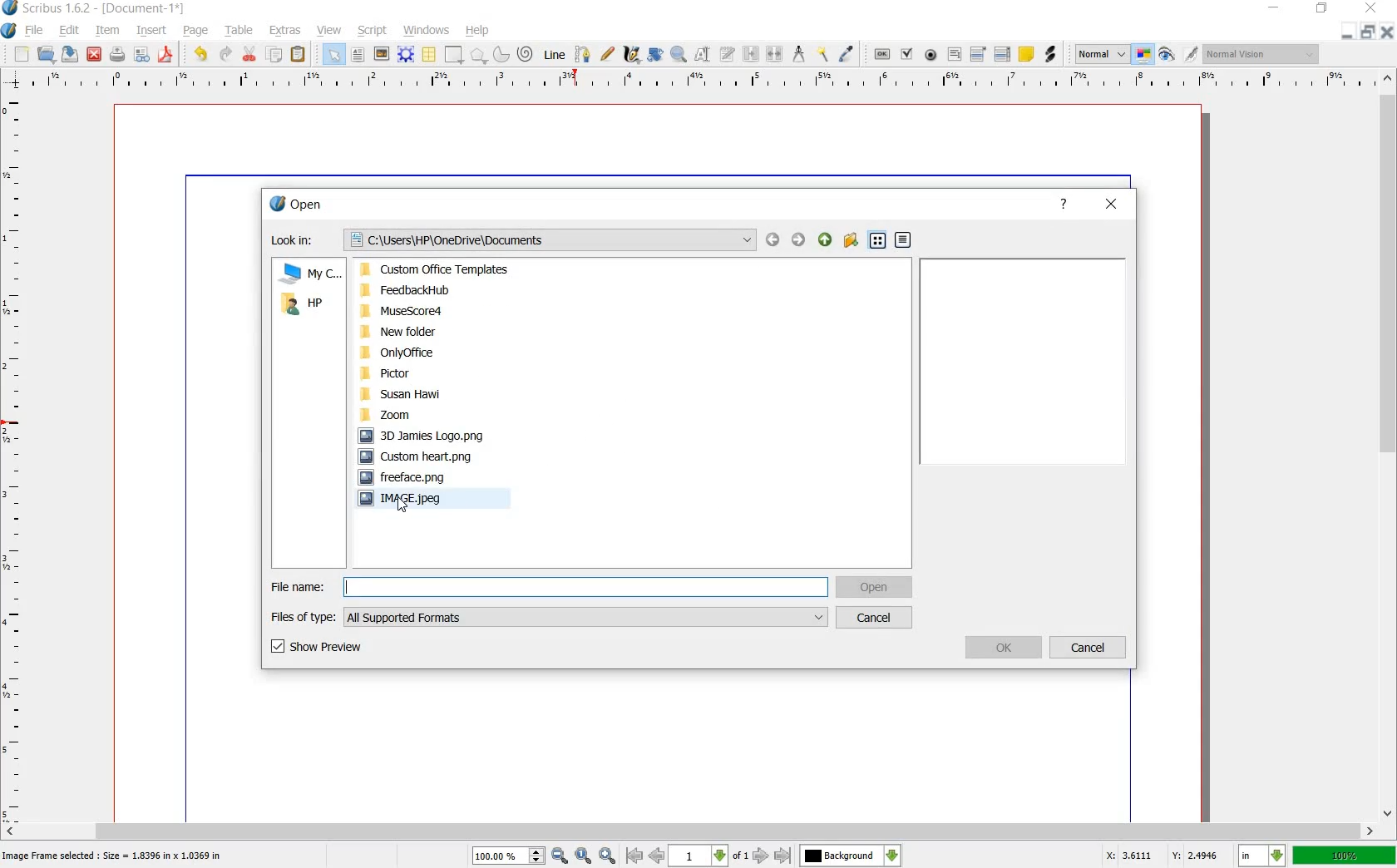  What do you see at coordinates (303, 618) in the screenshot?
I see `FILES OF TYPE` at bounding box center [303, 618].